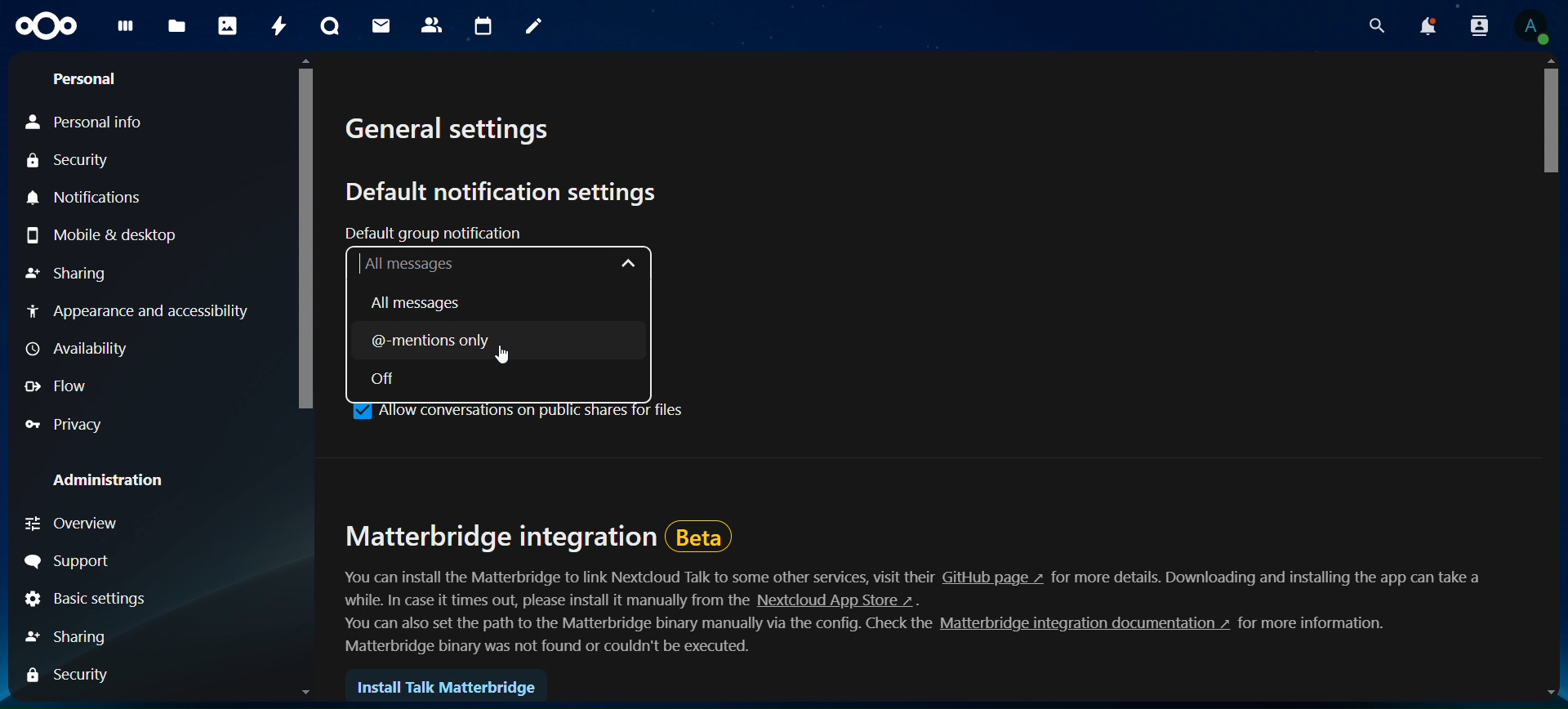  I want to click on search contacts, so click(1472, 25).